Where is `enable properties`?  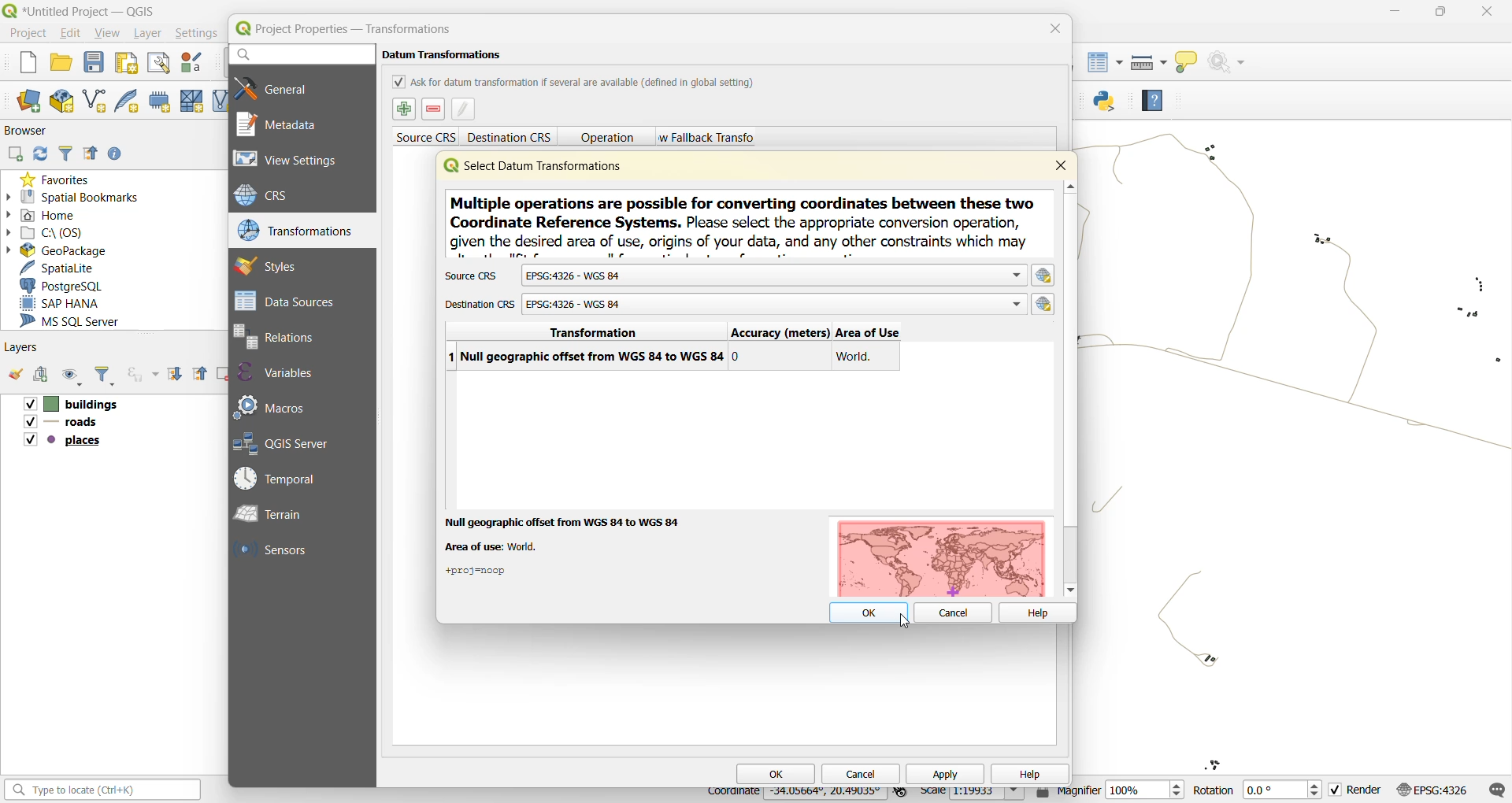 enable properties is located at coordinates (117, 154).